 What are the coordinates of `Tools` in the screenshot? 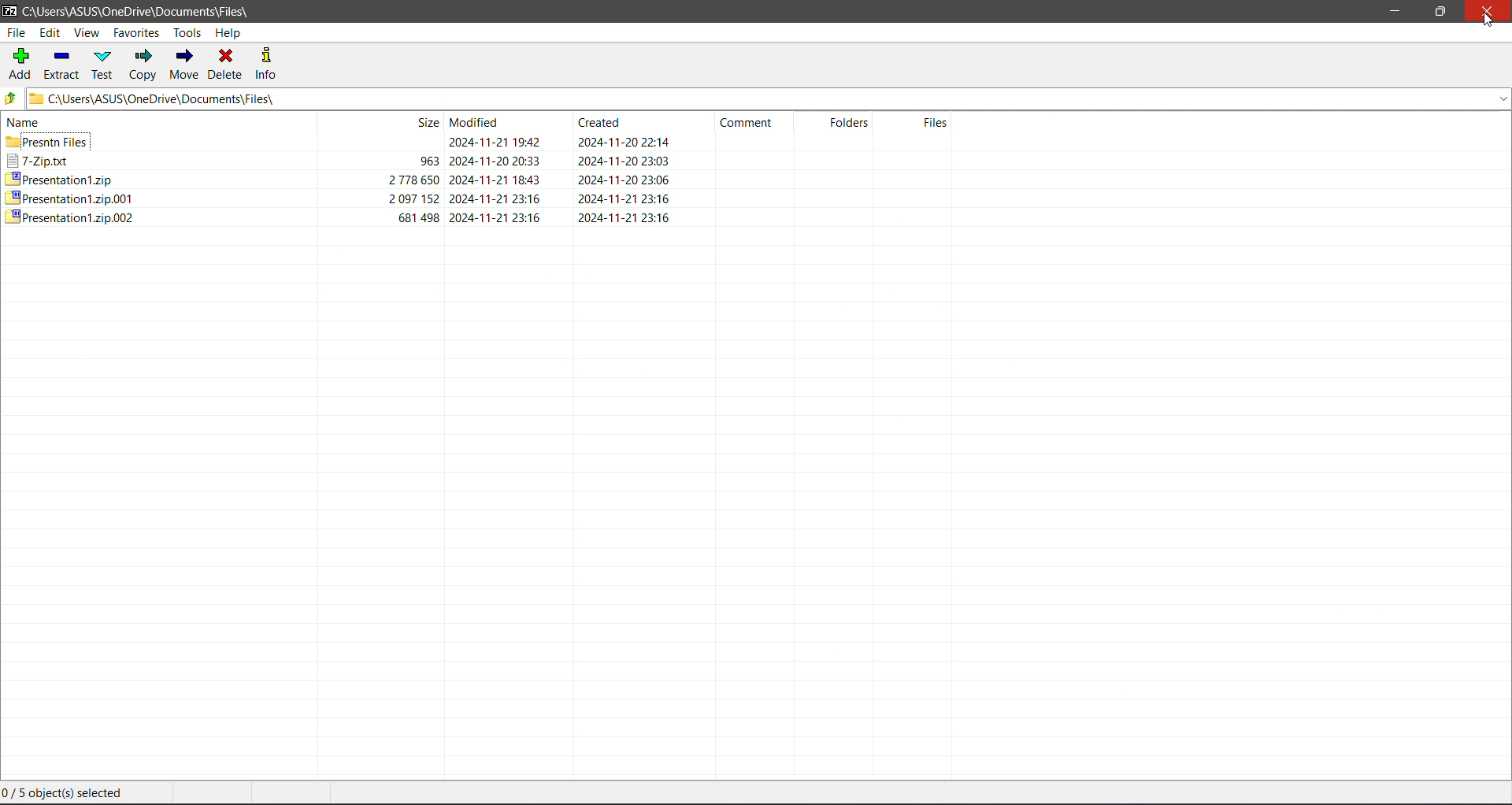 It's located at (187, 32).